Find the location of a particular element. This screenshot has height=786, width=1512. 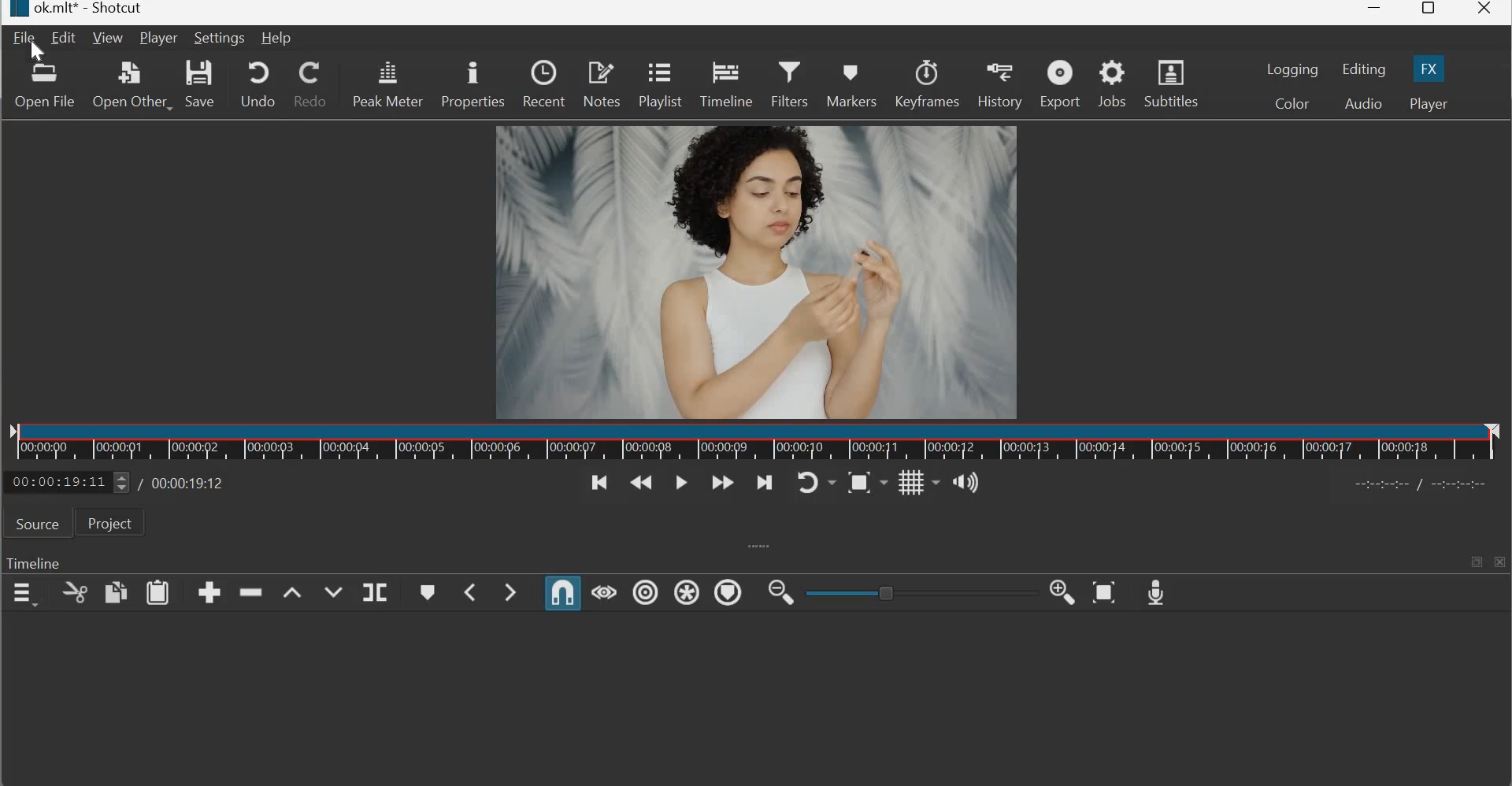

FX is located at coordinates (1429, 68).